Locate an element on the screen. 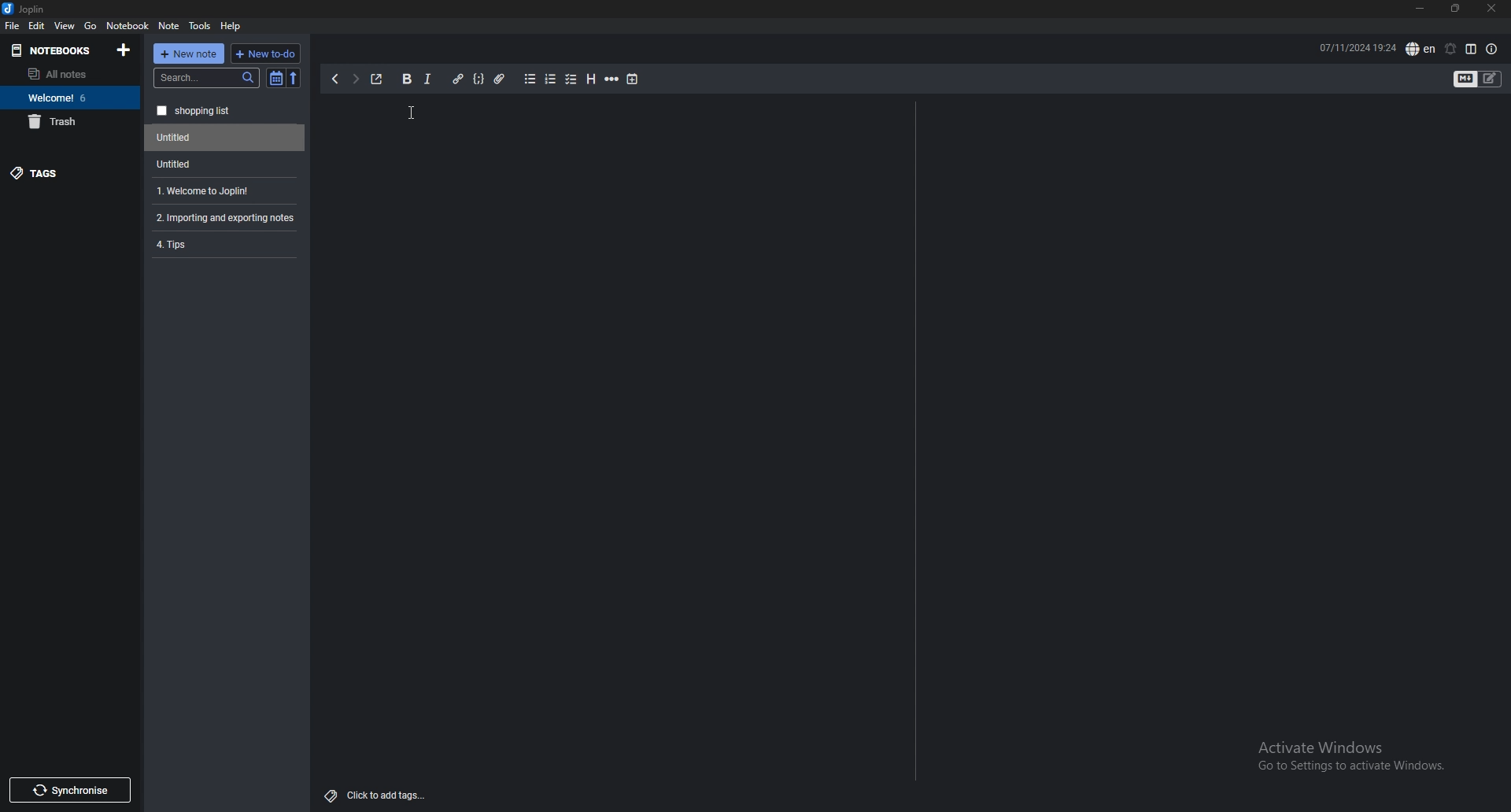 The height and width of the screenshot is (812, 1511). Click to add tags is located at coordinates (379, 792).